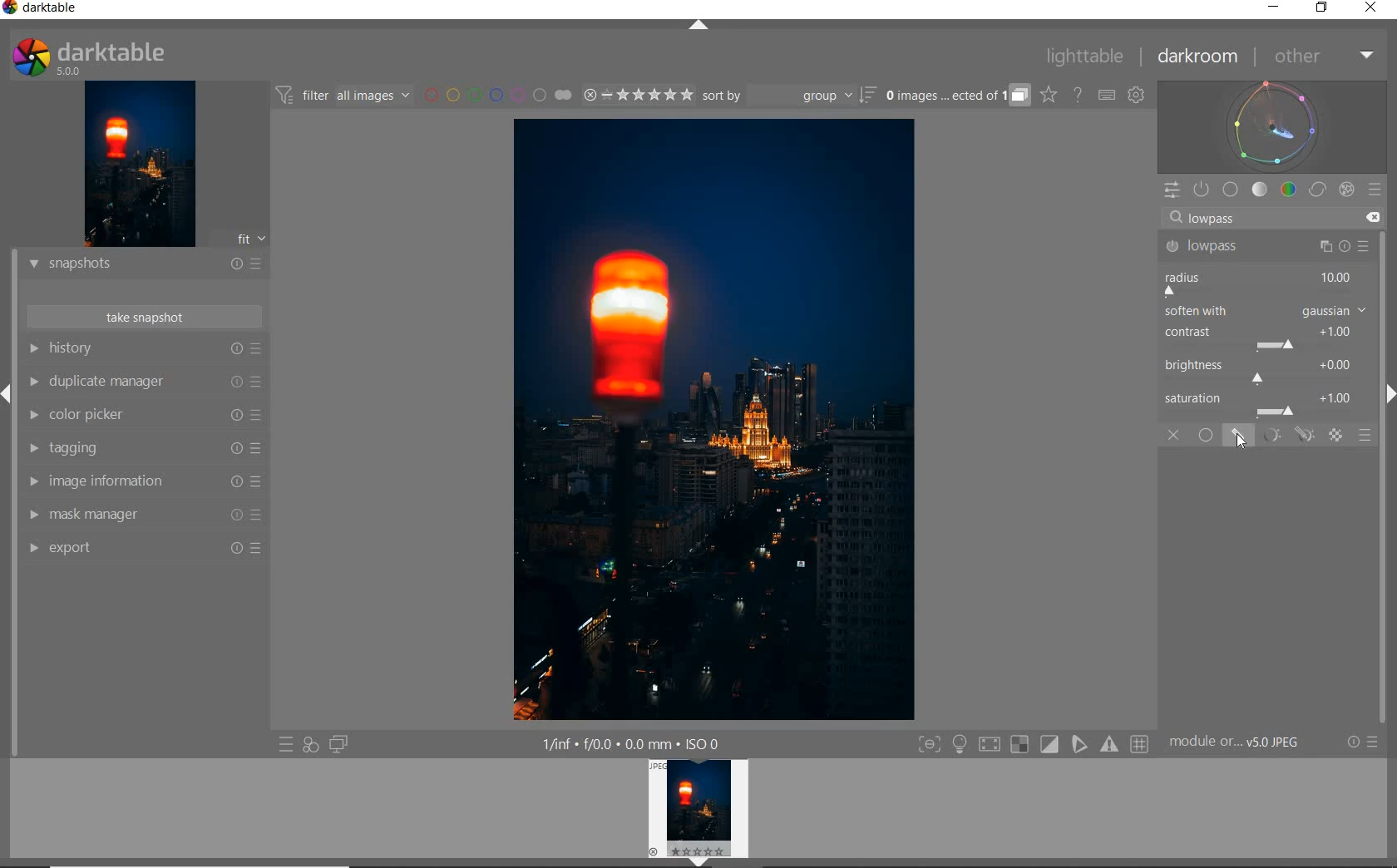 This screenshot has height=868, width=1397. I want to click on LIGHTTABLE, so click(1087, 55).